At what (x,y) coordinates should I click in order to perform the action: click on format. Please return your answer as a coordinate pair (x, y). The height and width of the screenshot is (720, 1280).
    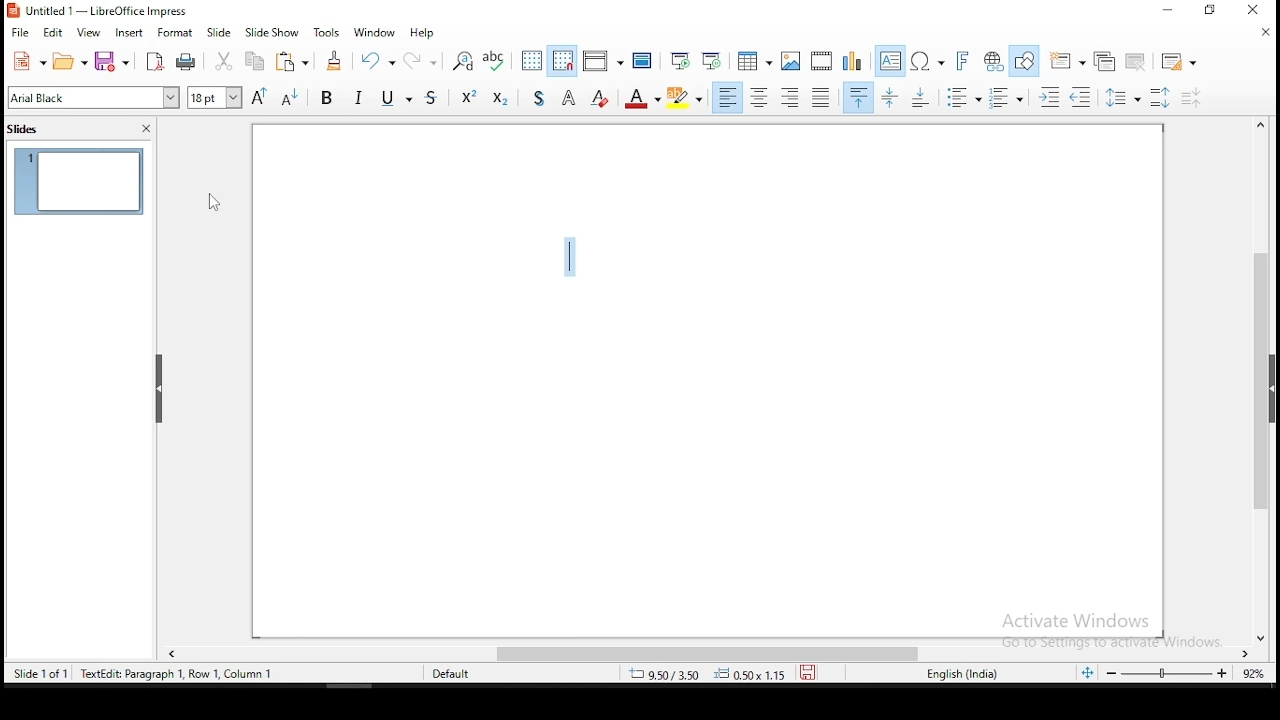
    Looking at the image, I should click on (176, 32).